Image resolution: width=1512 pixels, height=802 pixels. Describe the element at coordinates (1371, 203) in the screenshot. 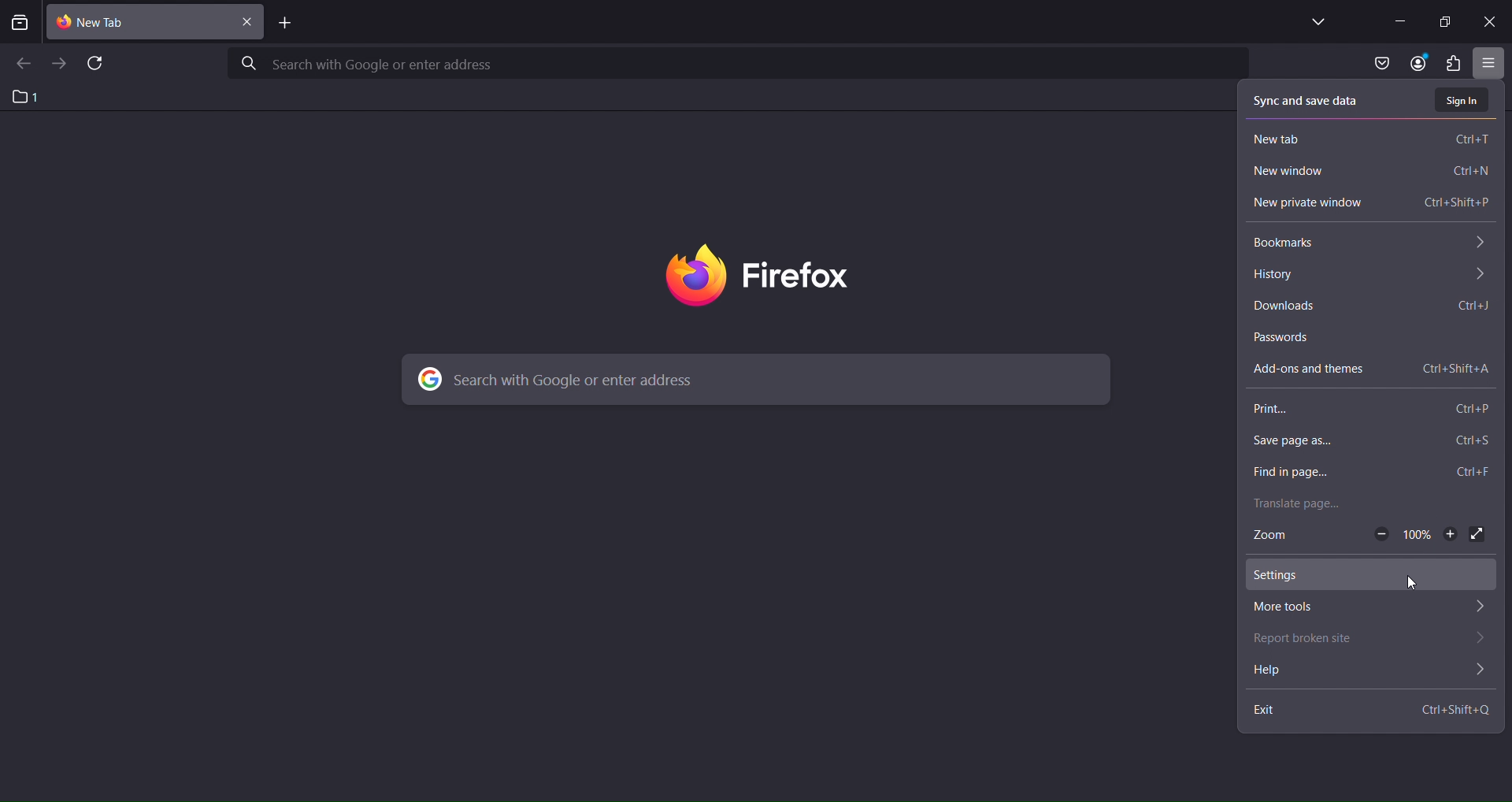

I see `new private window` at that location.